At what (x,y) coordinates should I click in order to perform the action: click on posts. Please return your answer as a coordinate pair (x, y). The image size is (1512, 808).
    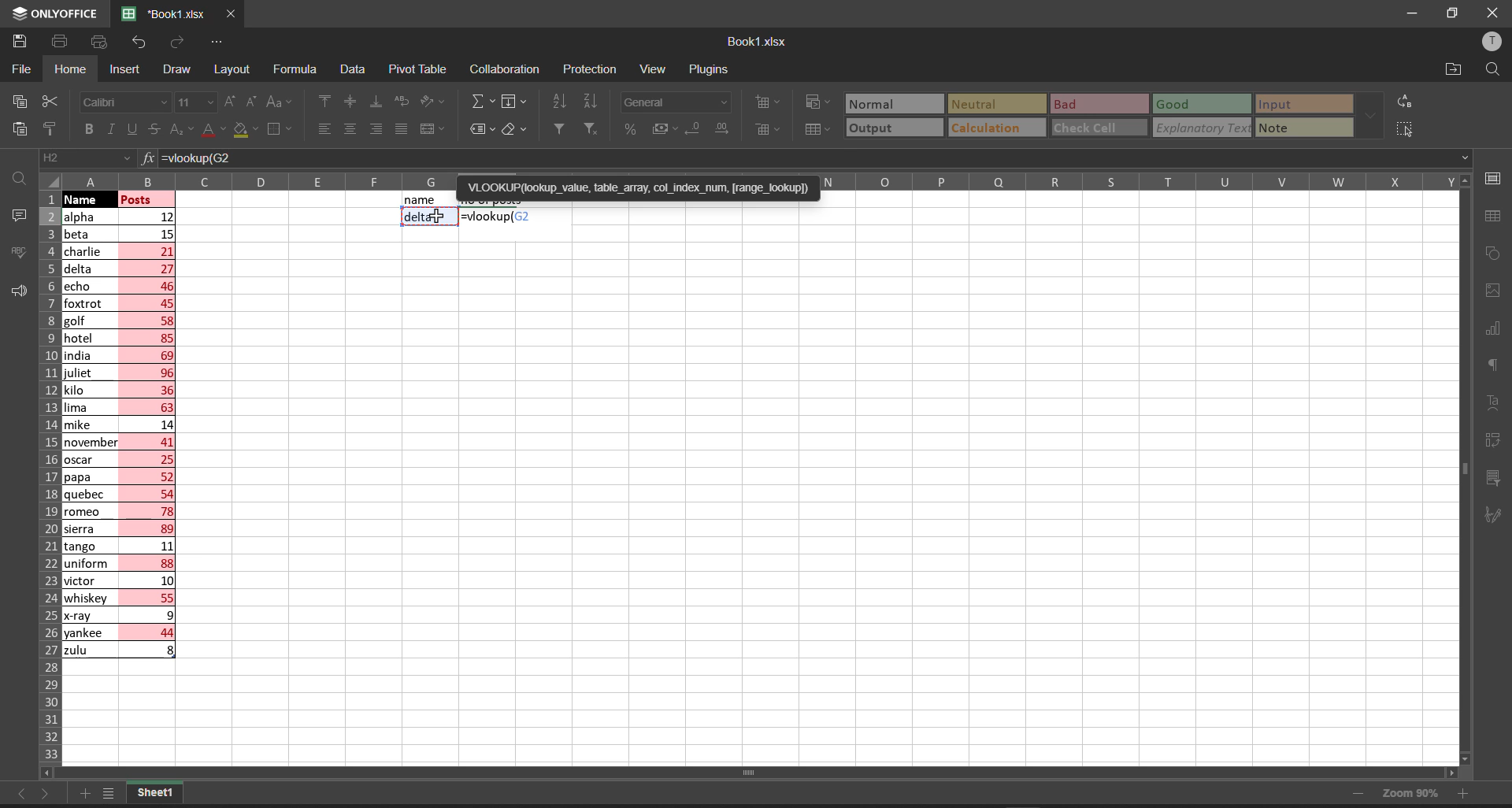
    Looking at the image, I should click on (149, 429).